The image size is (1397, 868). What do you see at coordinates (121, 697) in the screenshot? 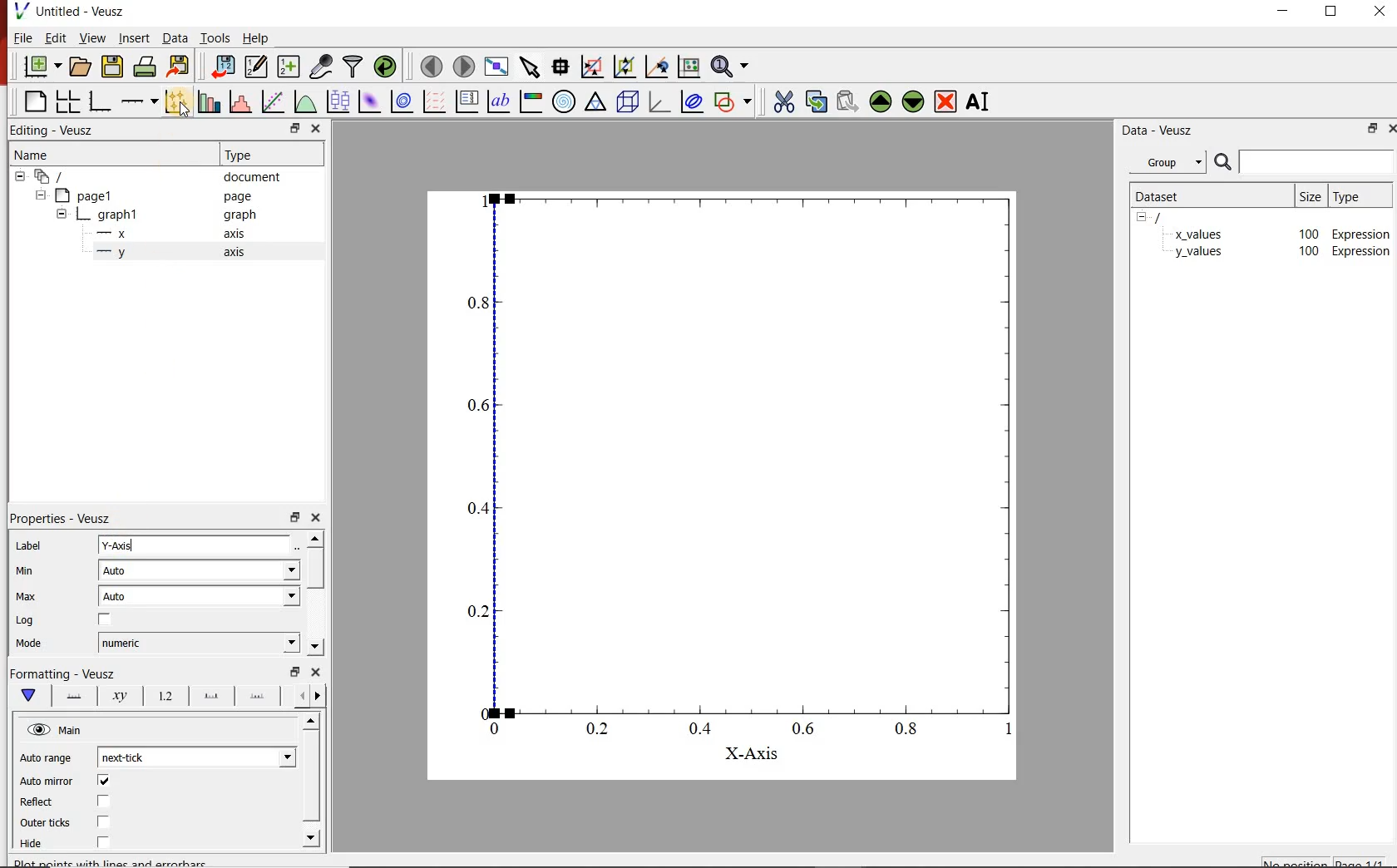
I see `axis label` at bounding box center [121, 697].